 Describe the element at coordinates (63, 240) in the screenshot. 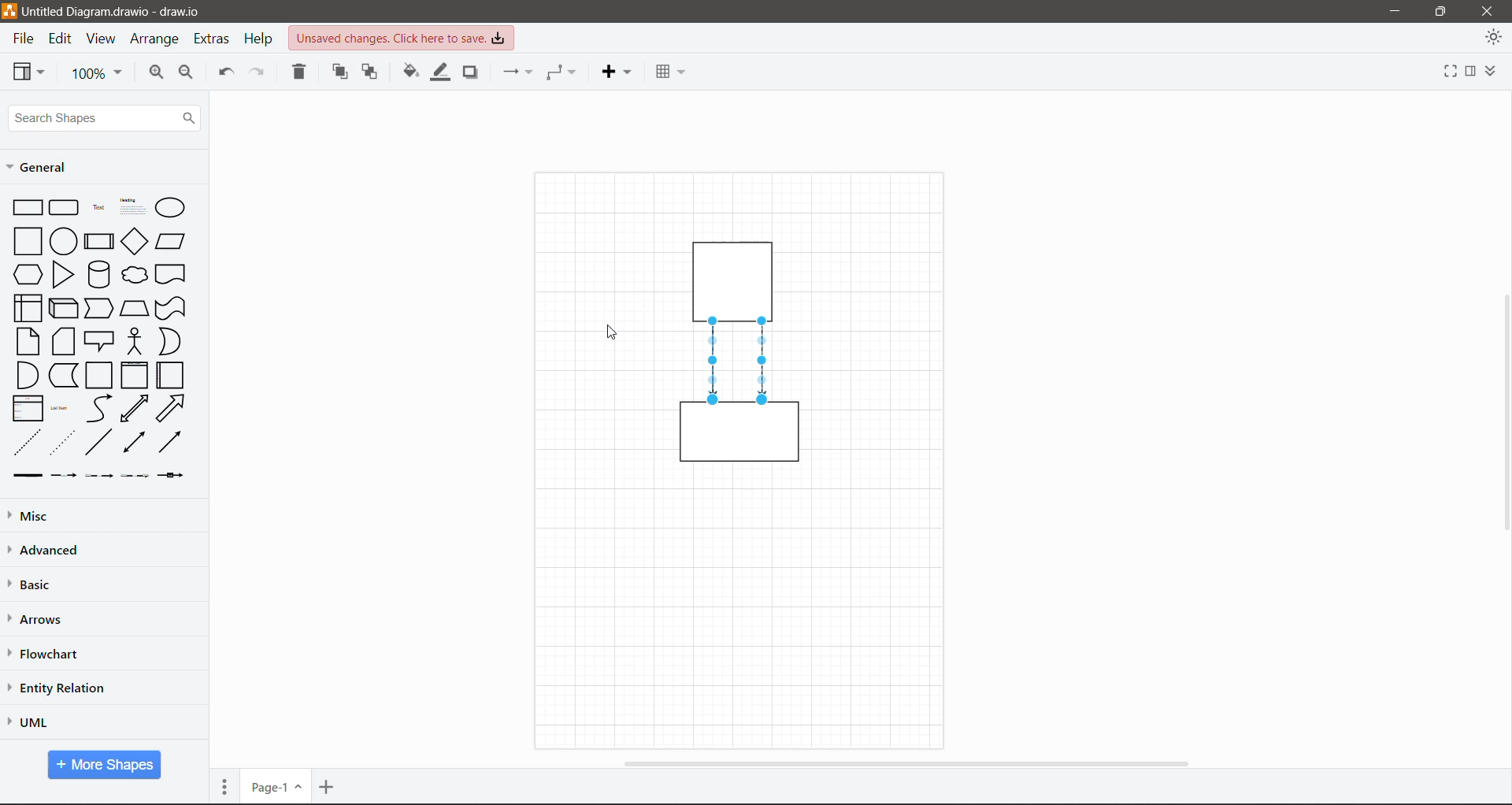

I see `Circle` at that location.